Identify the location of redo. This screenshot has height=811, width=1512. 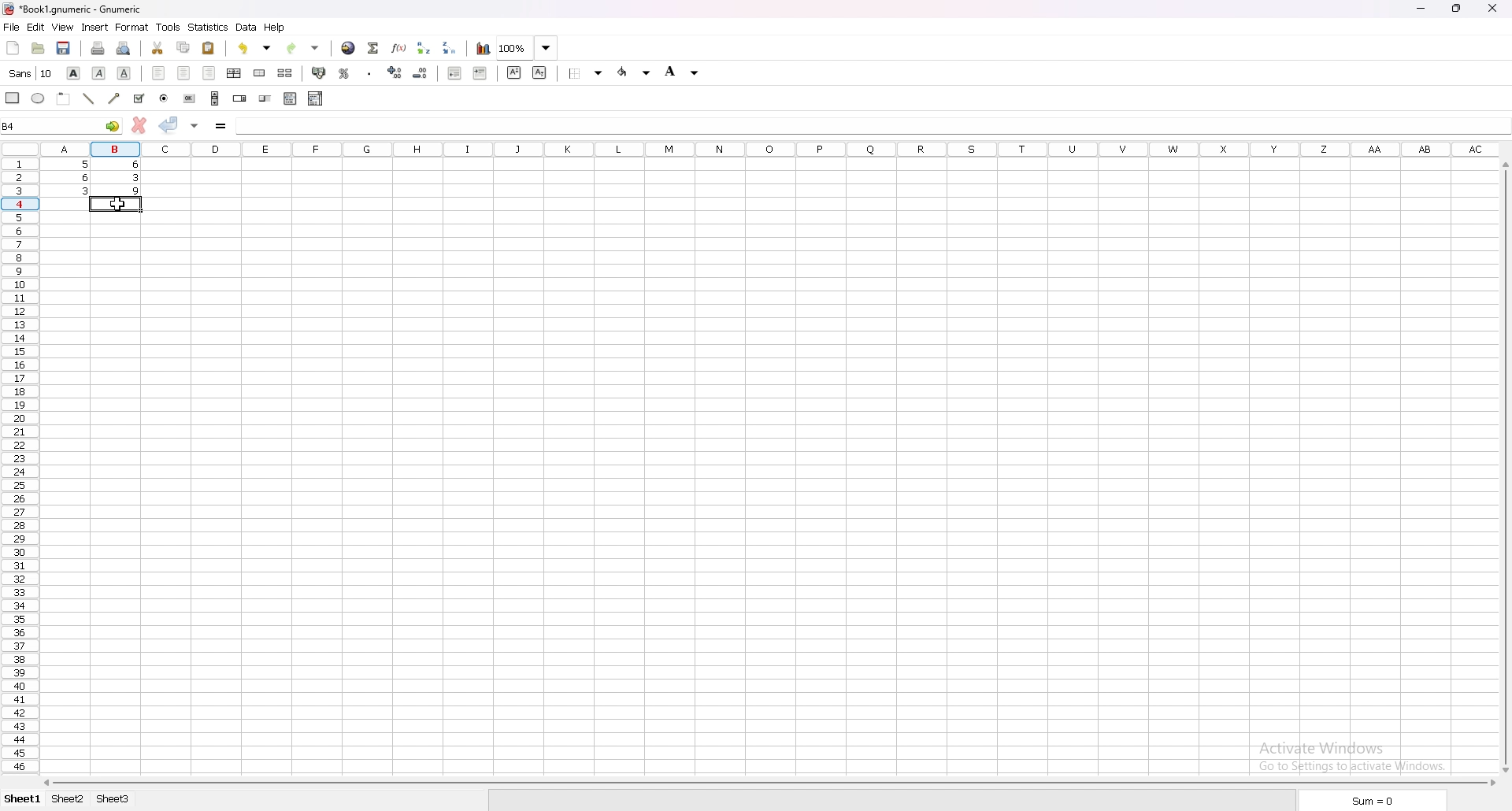
(306, 47).